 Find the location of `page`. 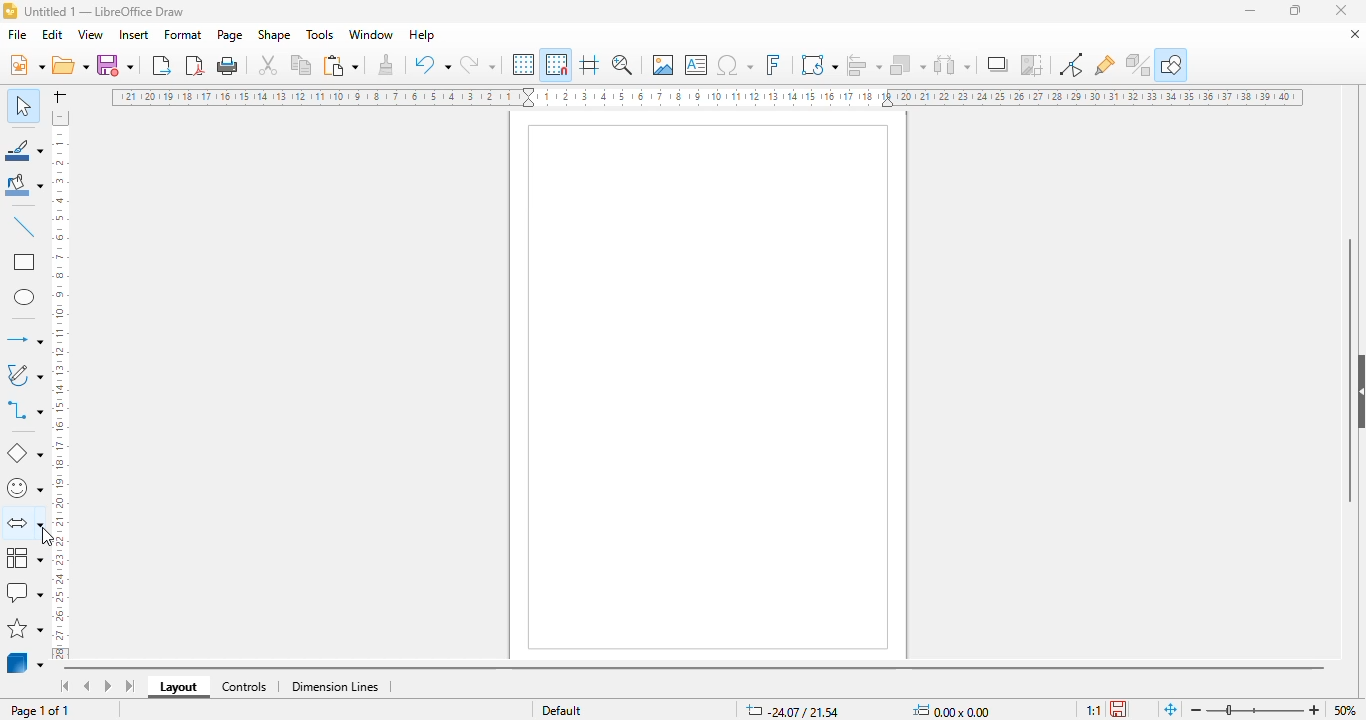

page is located at coordinates (229, 35).